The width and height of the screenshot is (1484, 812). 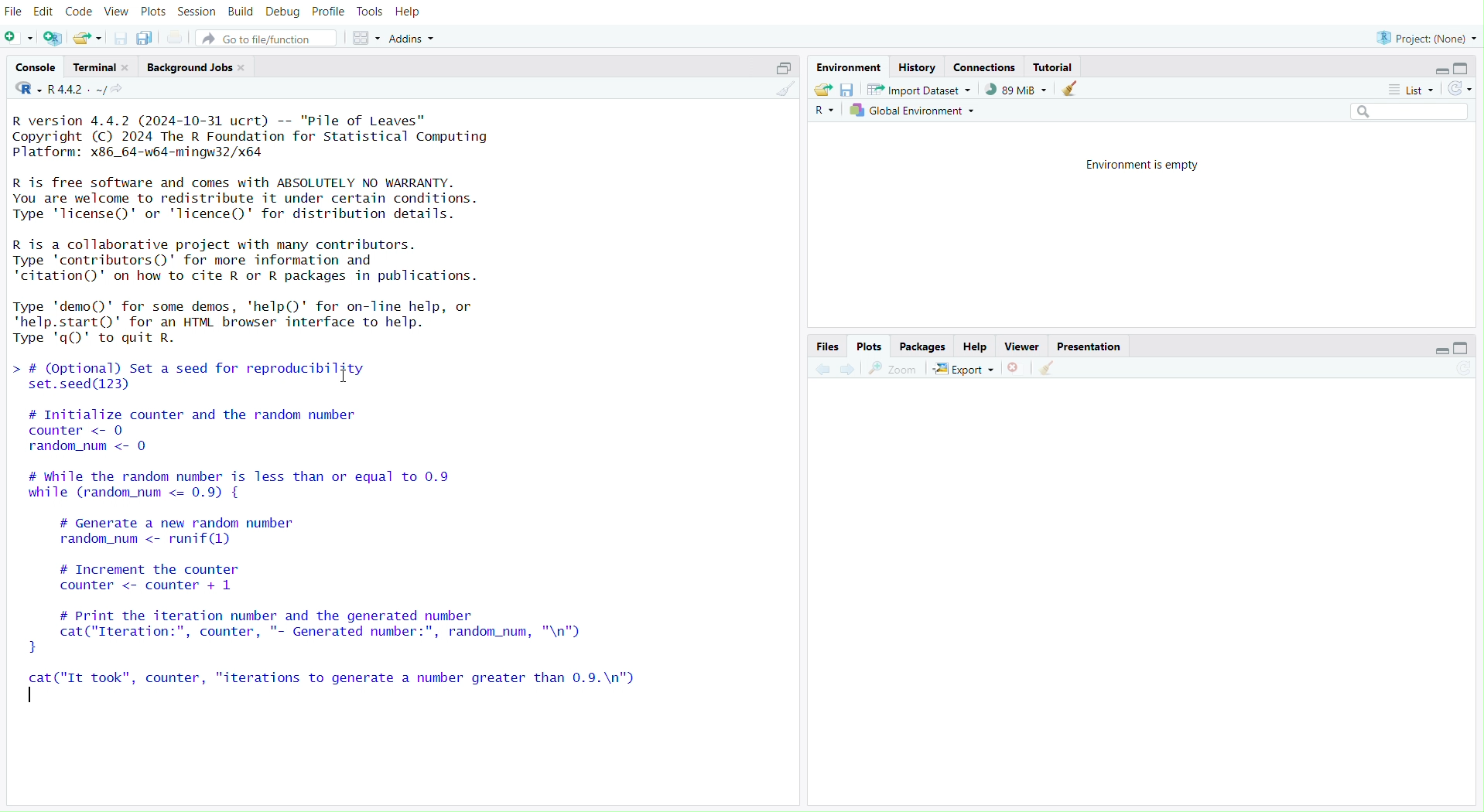 What do you see at coordinates (969, 368) in the screenshot?
I see `Export` at bounding box center [969, 368].